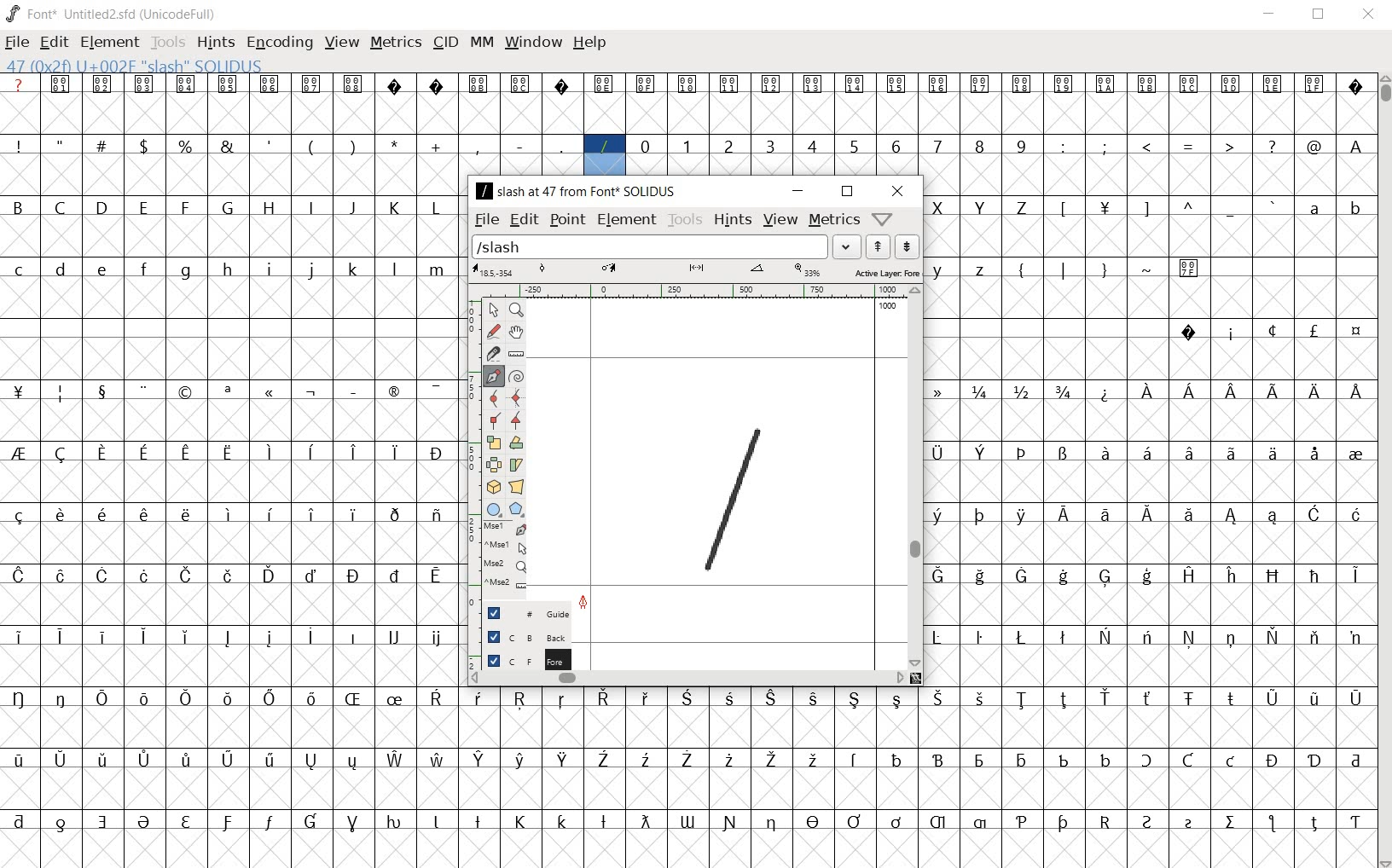  Describe the element at coordinates (516, 377) in the screenshot. I see `change whether spiro is active or not` at that location.